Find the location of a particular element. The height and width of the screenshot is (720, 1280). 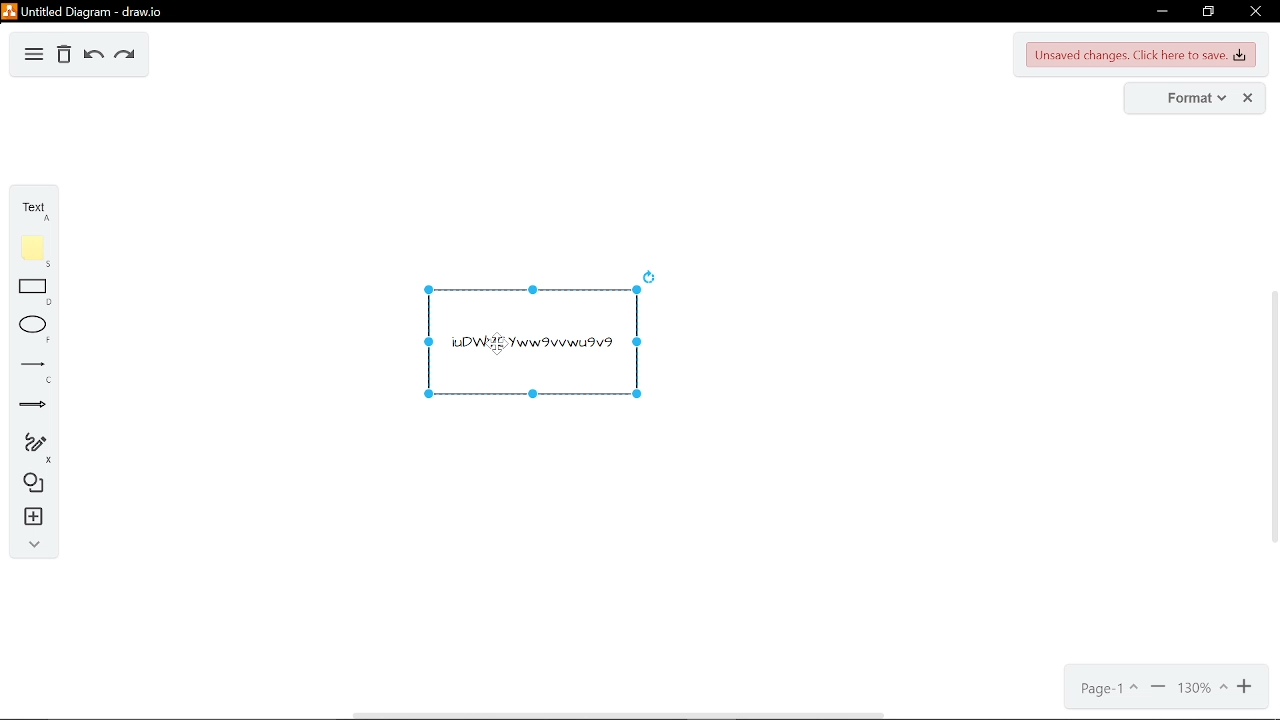

arrows is located at coordinates (27, 404).